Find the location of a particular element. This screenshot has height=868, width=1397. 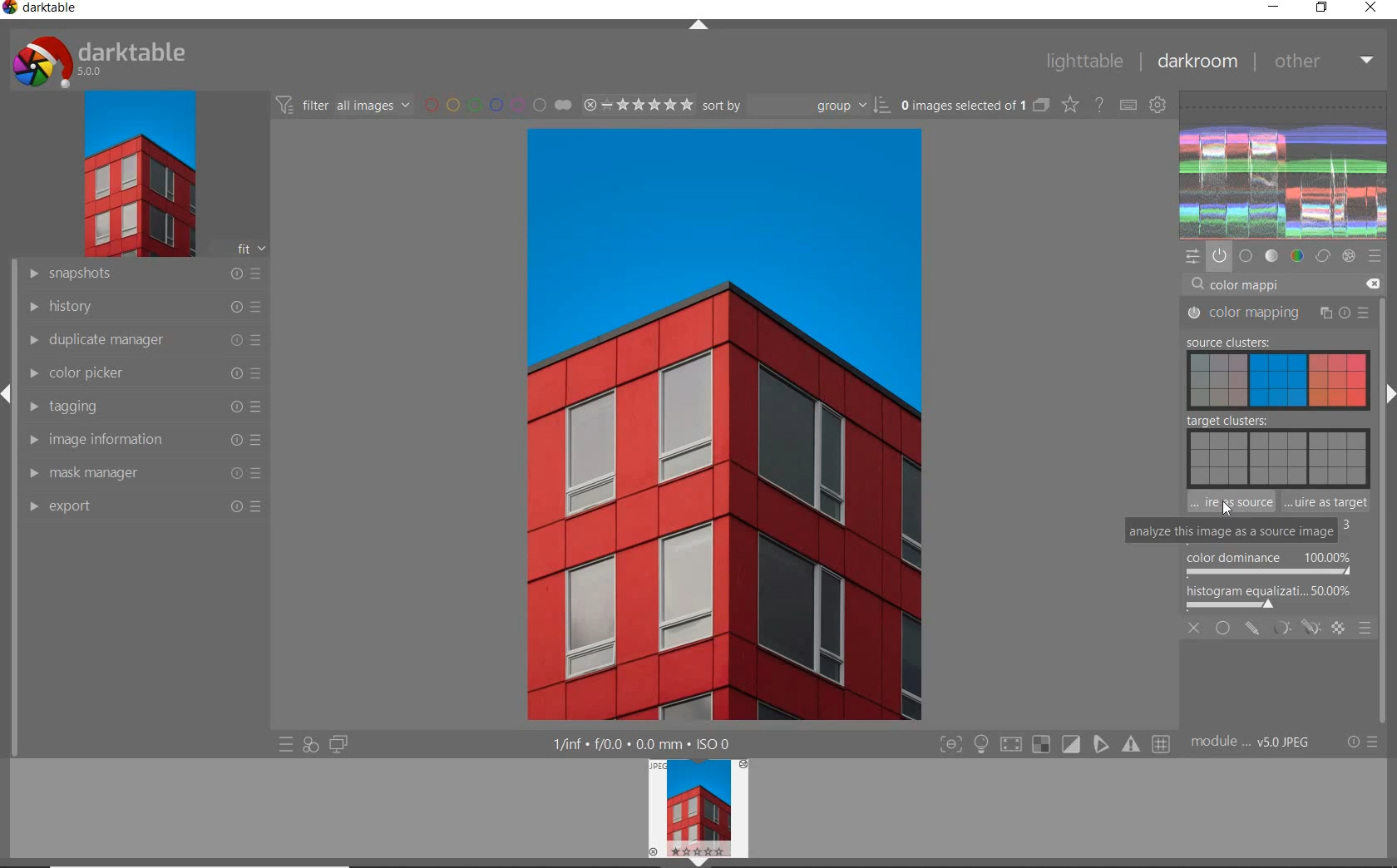

CLOSE is located at coordinates (1196, 630).